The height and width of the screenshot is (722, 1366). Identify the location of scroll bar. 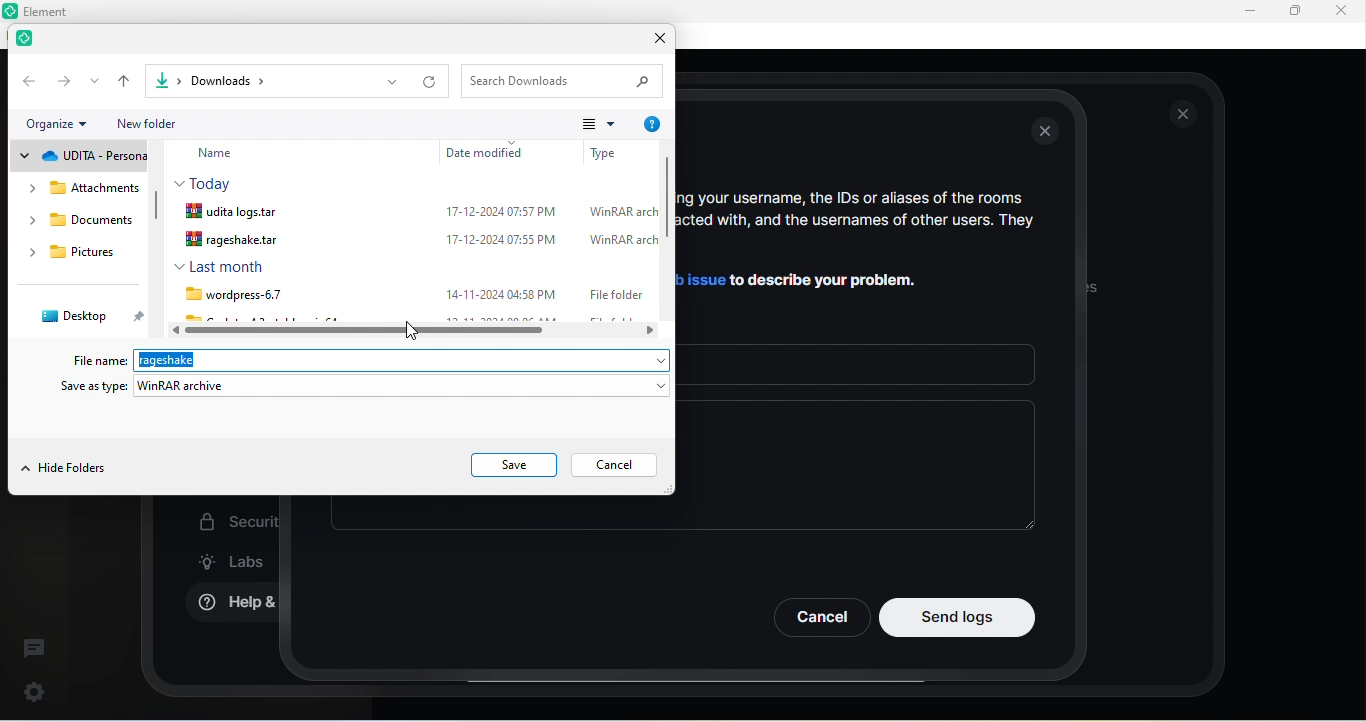
(157, 212).